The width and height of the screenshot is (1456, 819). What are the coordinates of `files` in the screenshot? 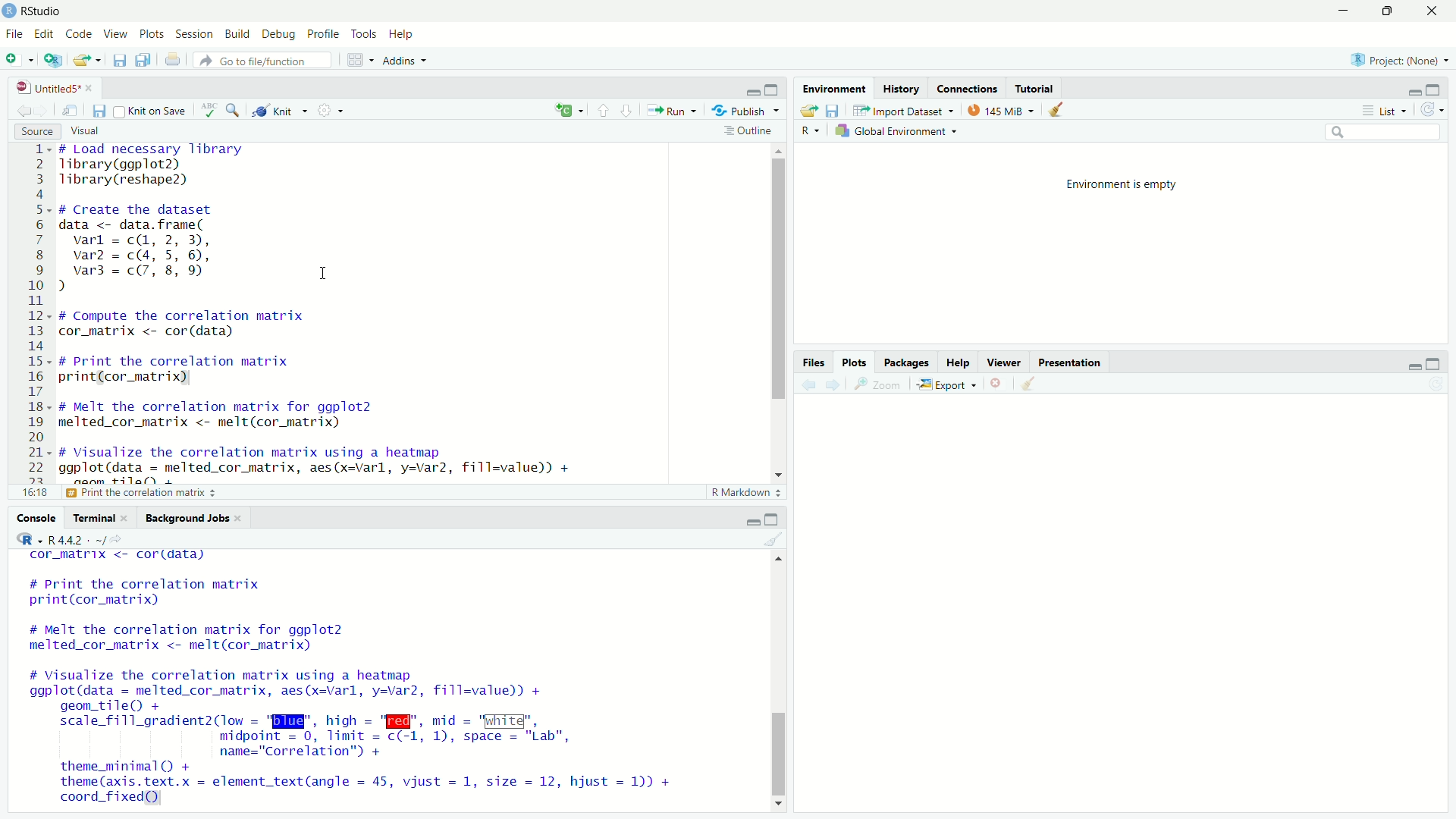 It's located at (815, 362).